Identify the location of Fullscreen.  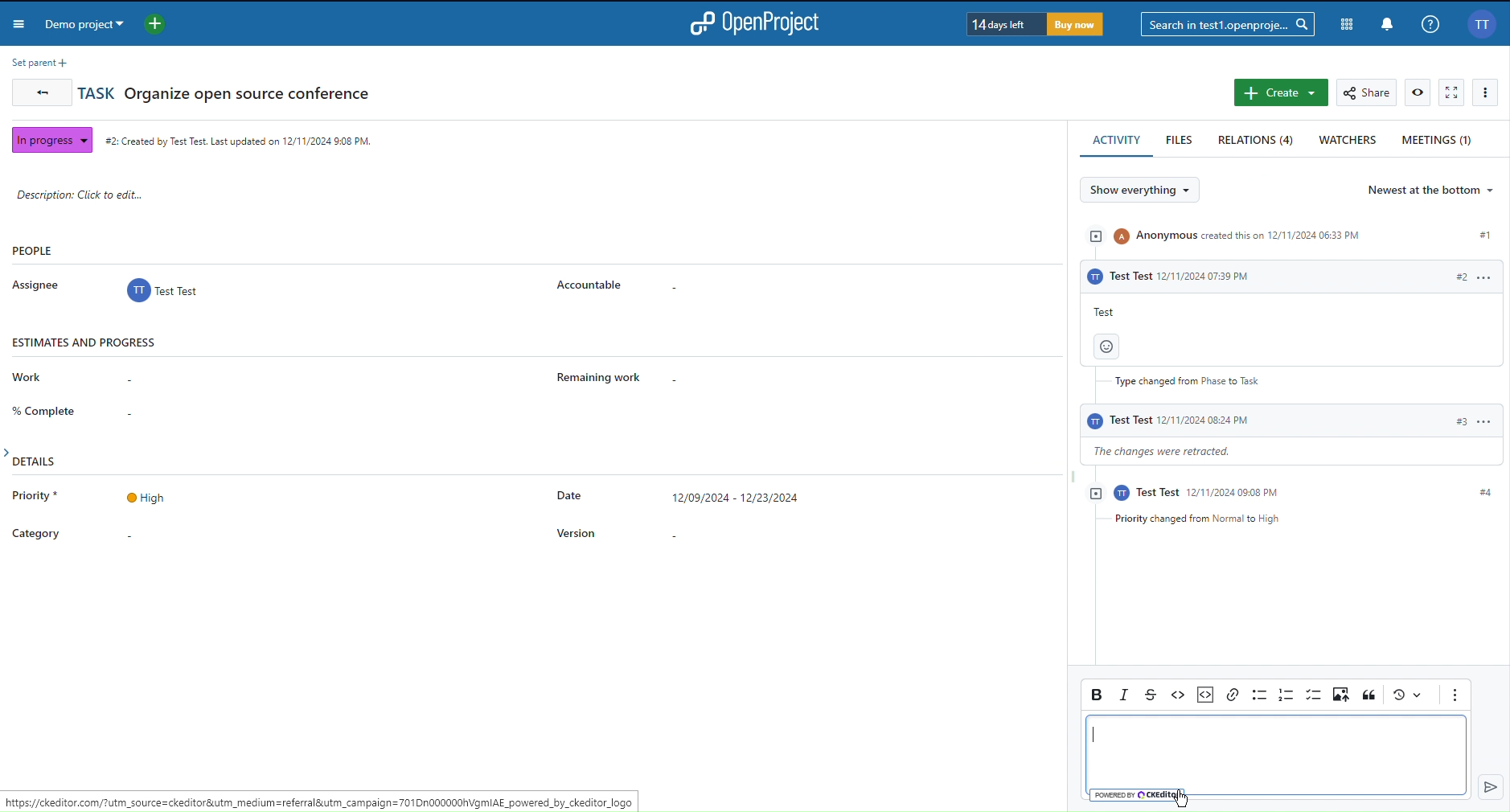
(1452, 93).